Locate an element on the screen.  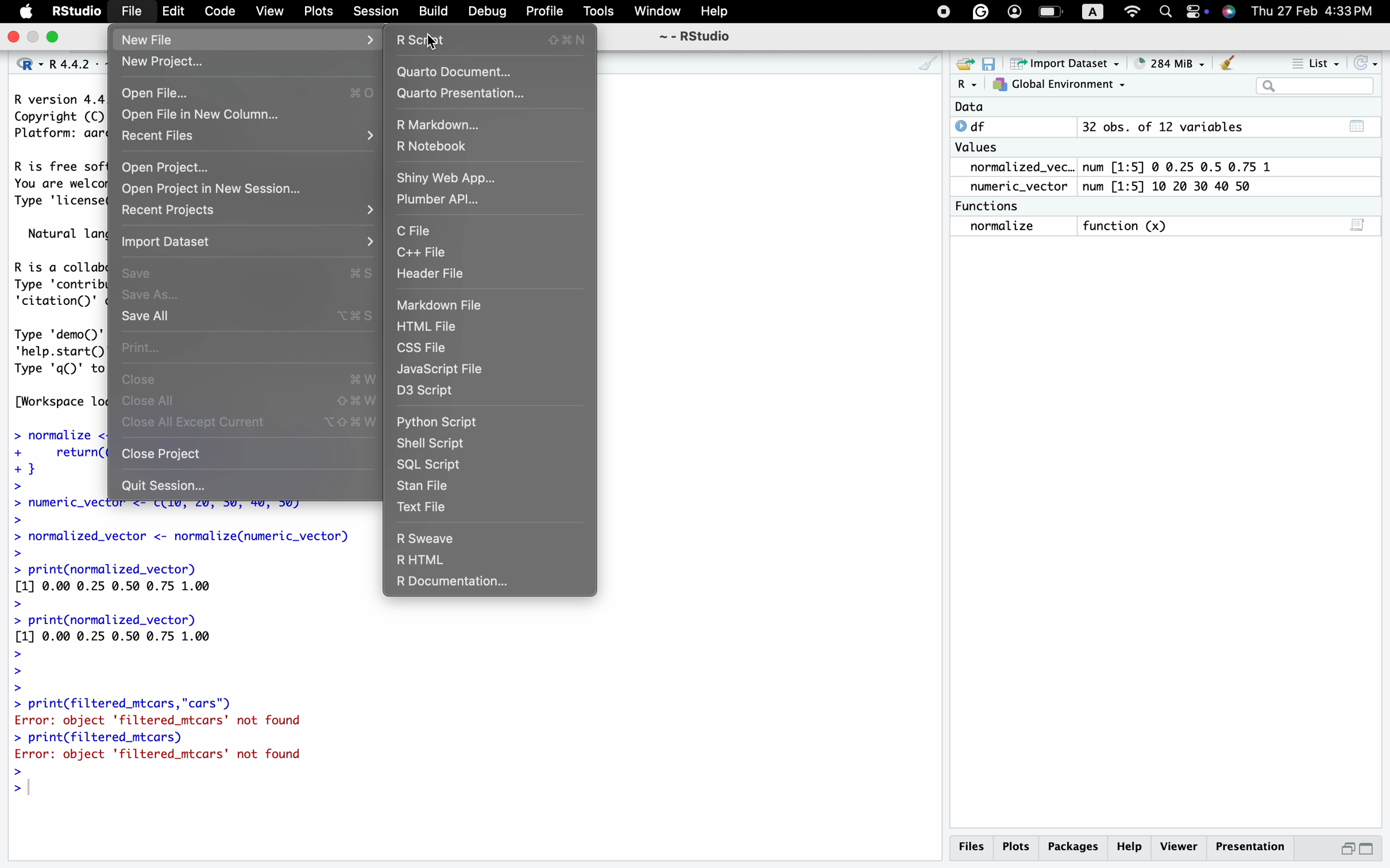
Qtan File is located at coordinates (431, 486).